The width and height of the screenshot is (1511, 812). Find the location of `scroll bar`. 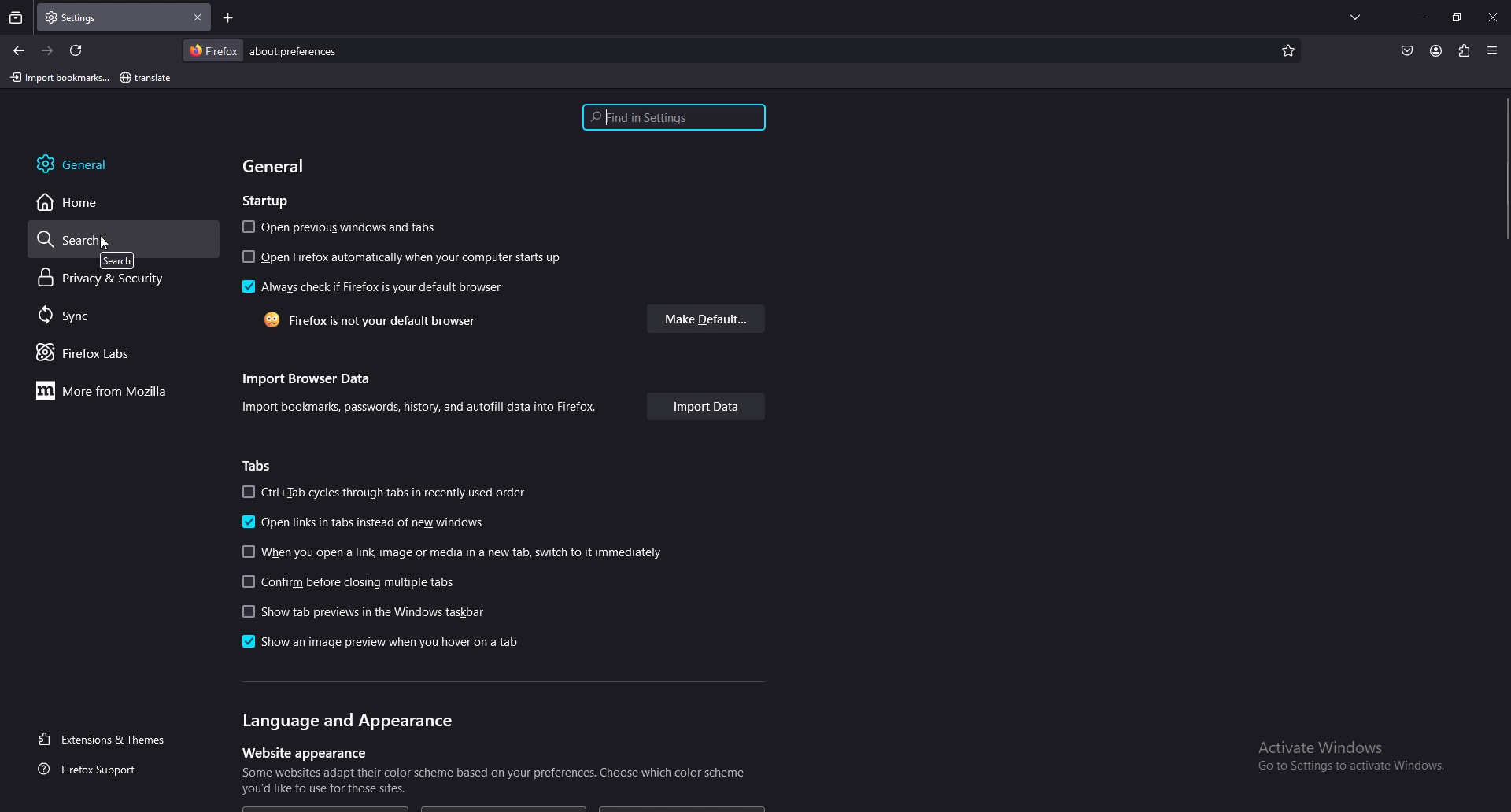

scroll bar is located at coordinates (1502, 171).